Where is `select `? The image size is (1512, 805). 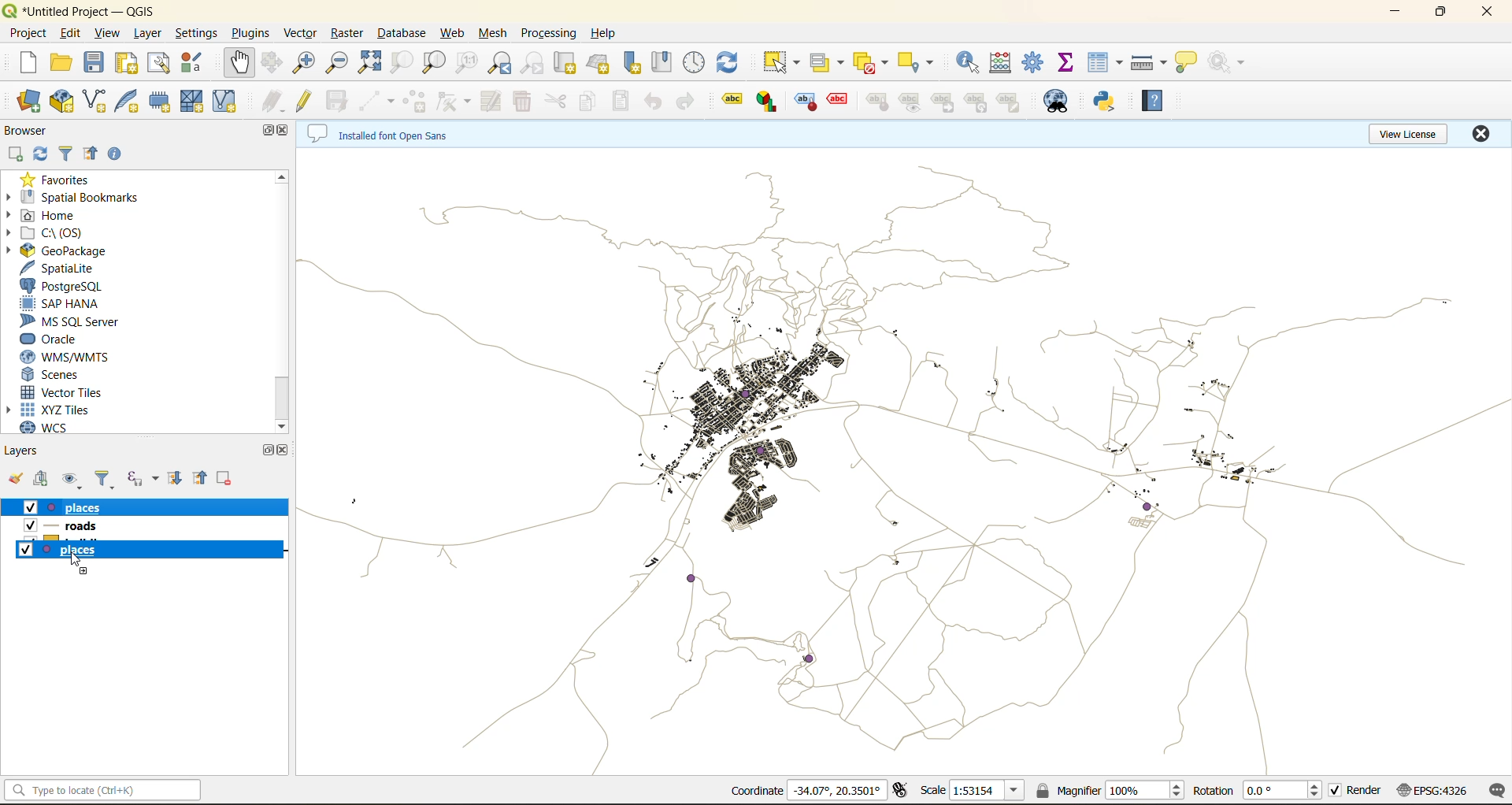
select  is located at coordinates (780, 62).